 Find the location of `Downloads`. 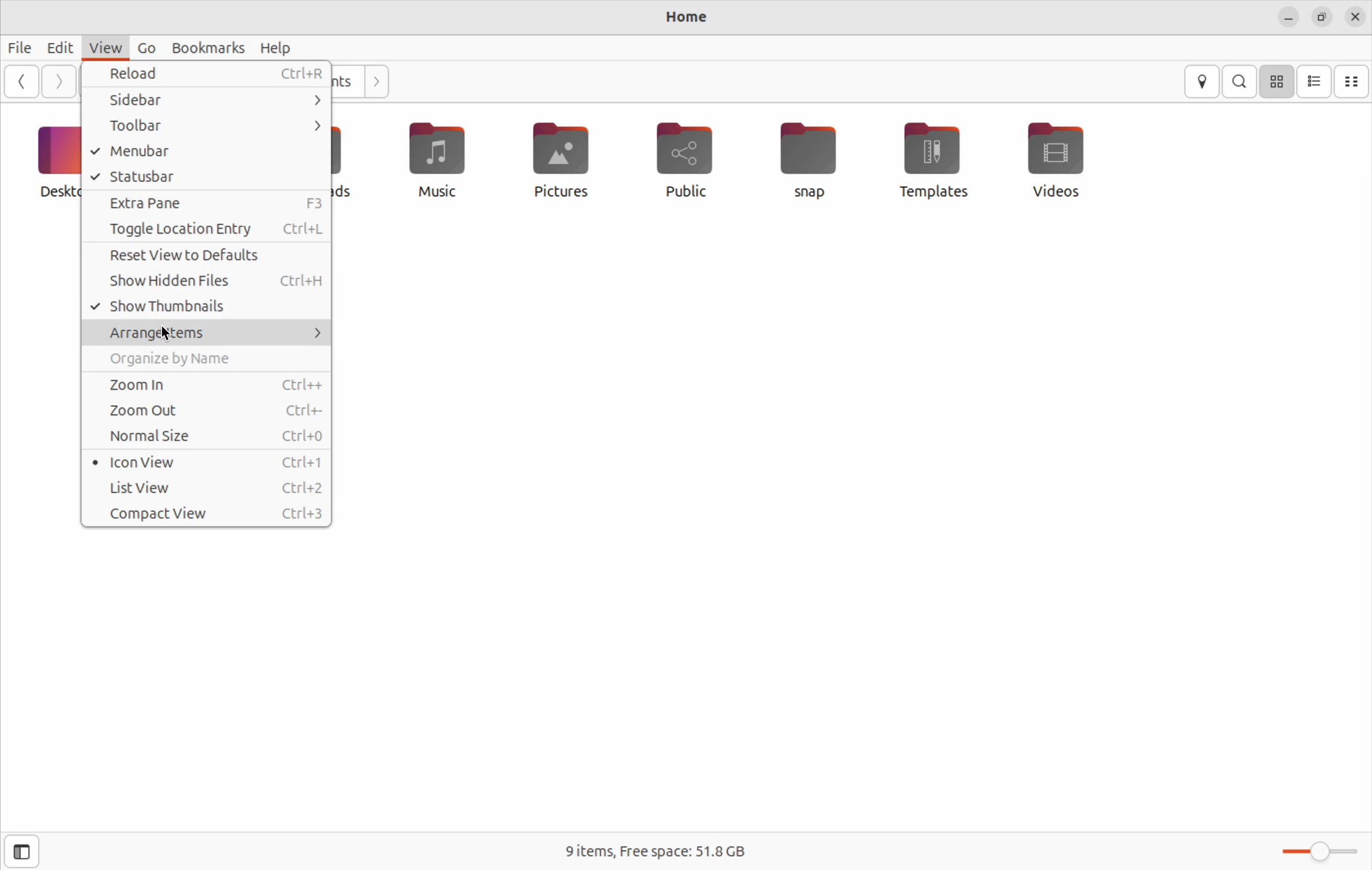

Downloads is located at coordinates (347, 162).